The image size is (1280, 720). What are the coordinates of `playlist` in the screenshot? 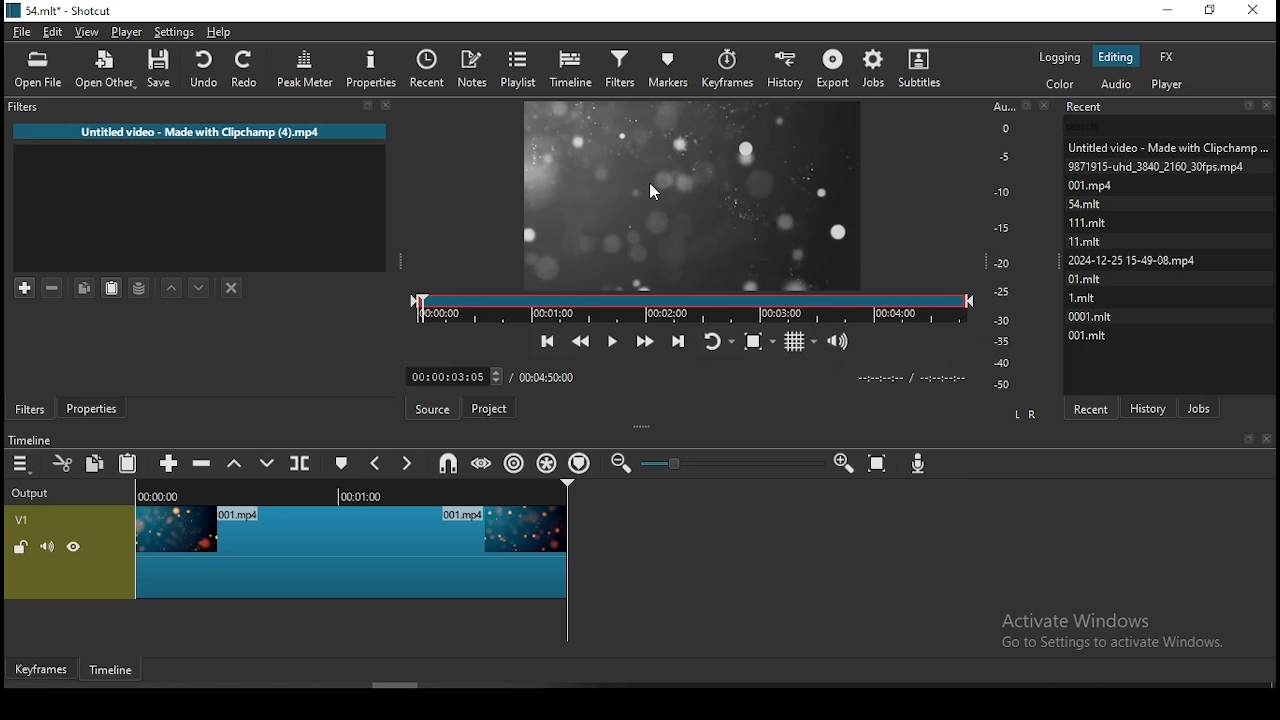 It's located at (518, 70).